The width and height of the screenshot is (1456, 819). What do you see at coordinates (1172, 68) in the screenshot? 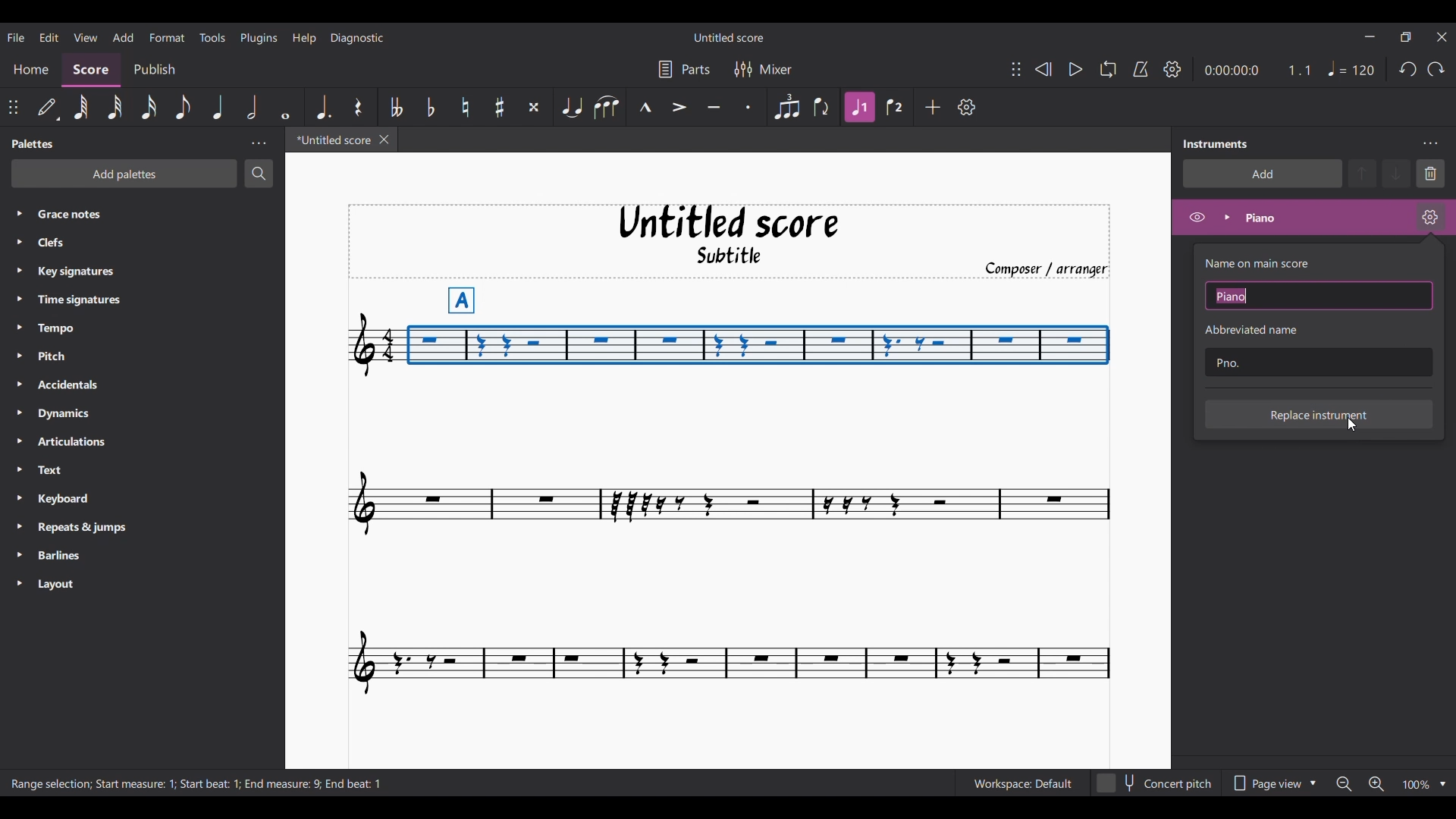
I see `Playback settings` at bounding box center [1172, 68].